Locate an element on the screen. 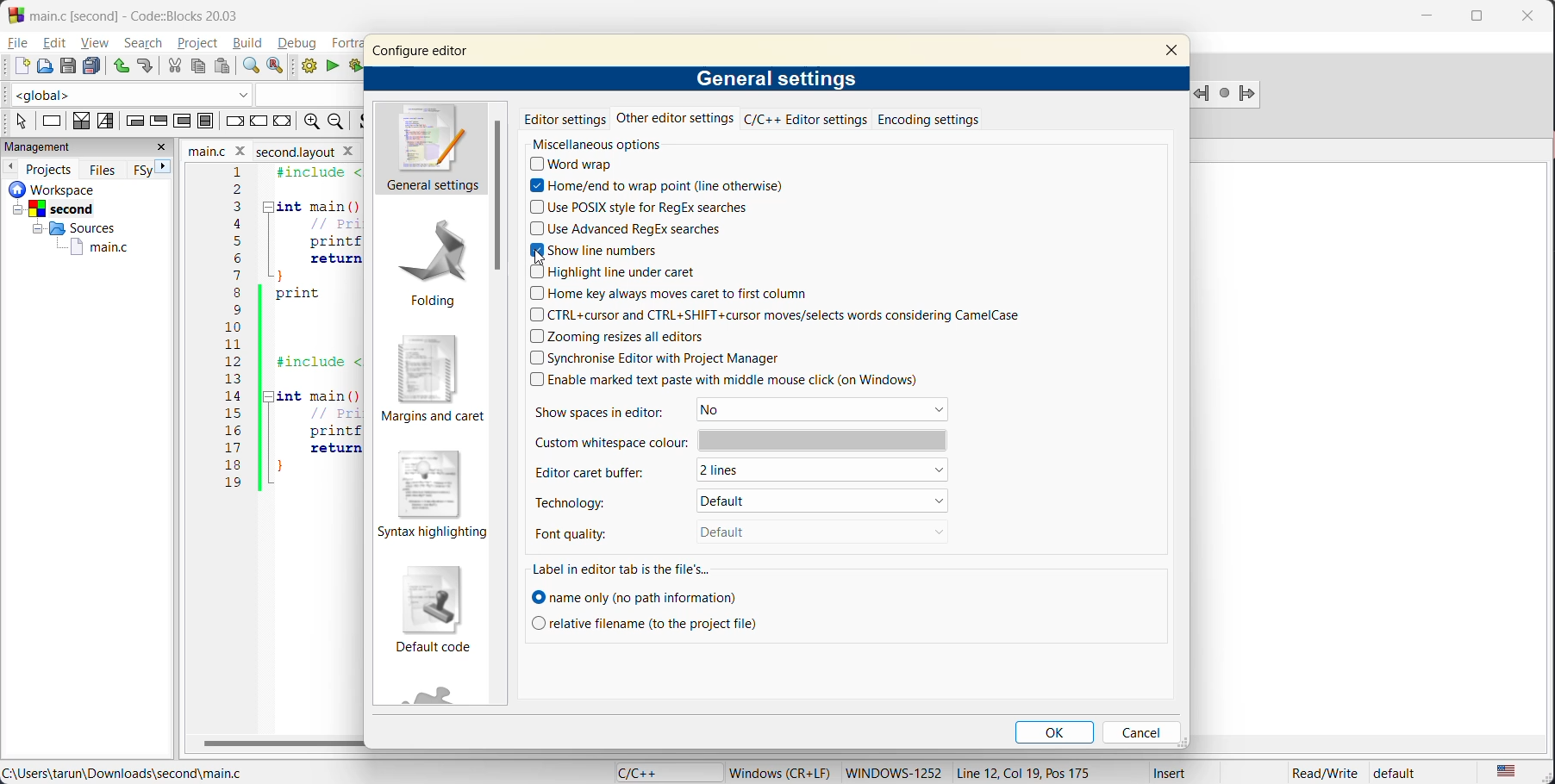  Sources is located at coordinates (75, 228).